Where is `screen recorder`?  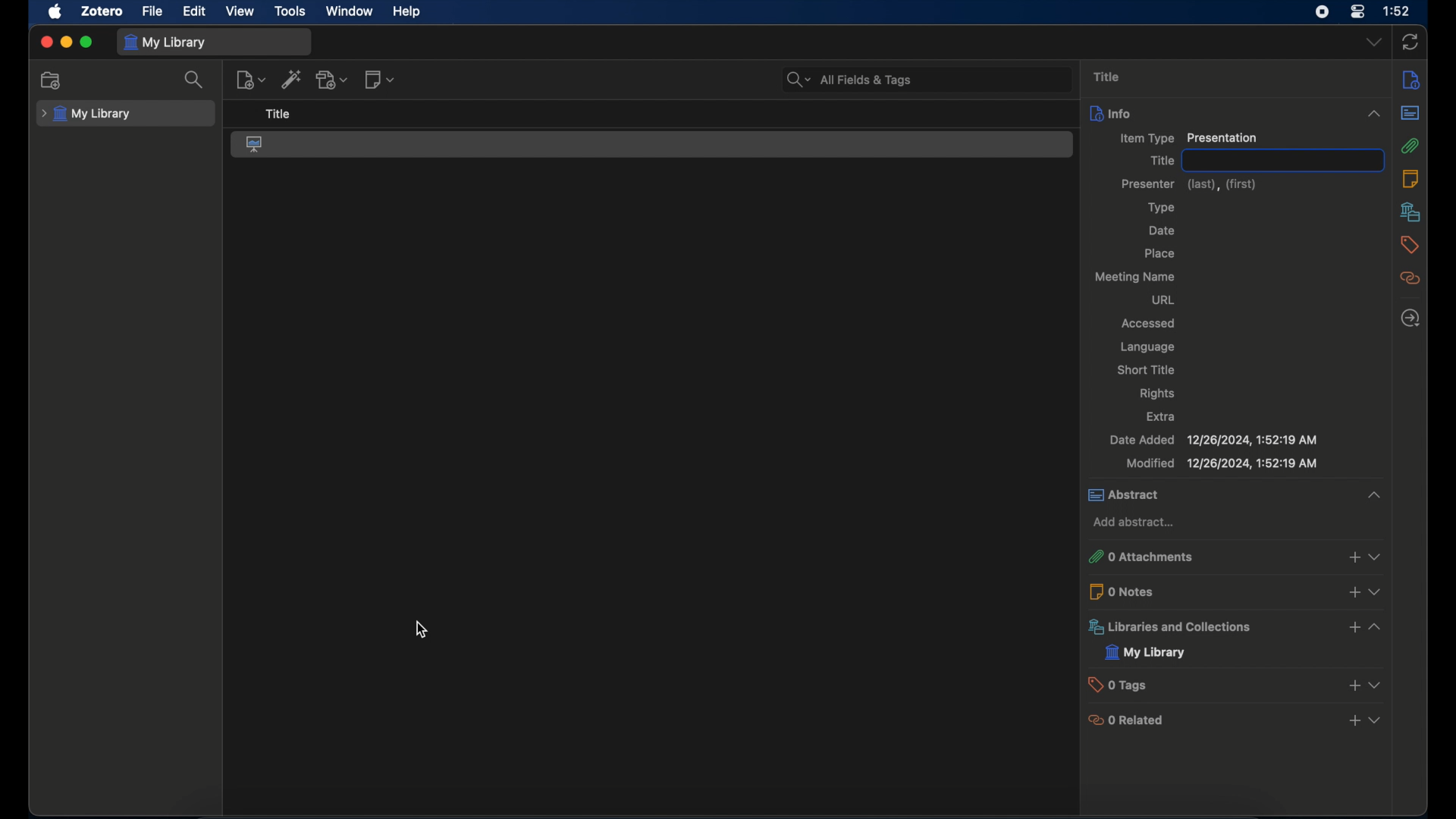 screen recorder is located at coordinates (1321, 13).